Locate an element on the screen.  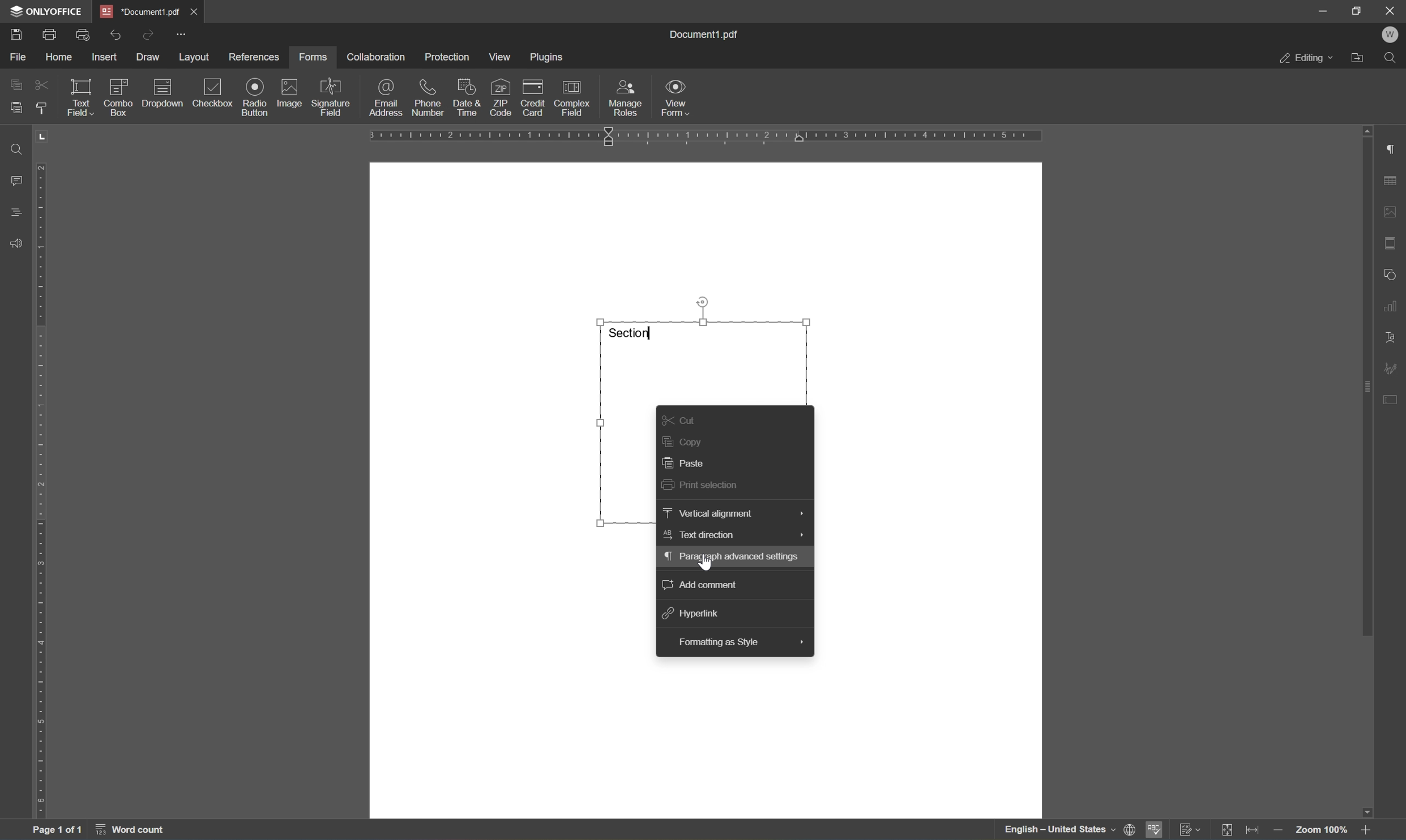
form settings is located at coordinates (1394, 398).